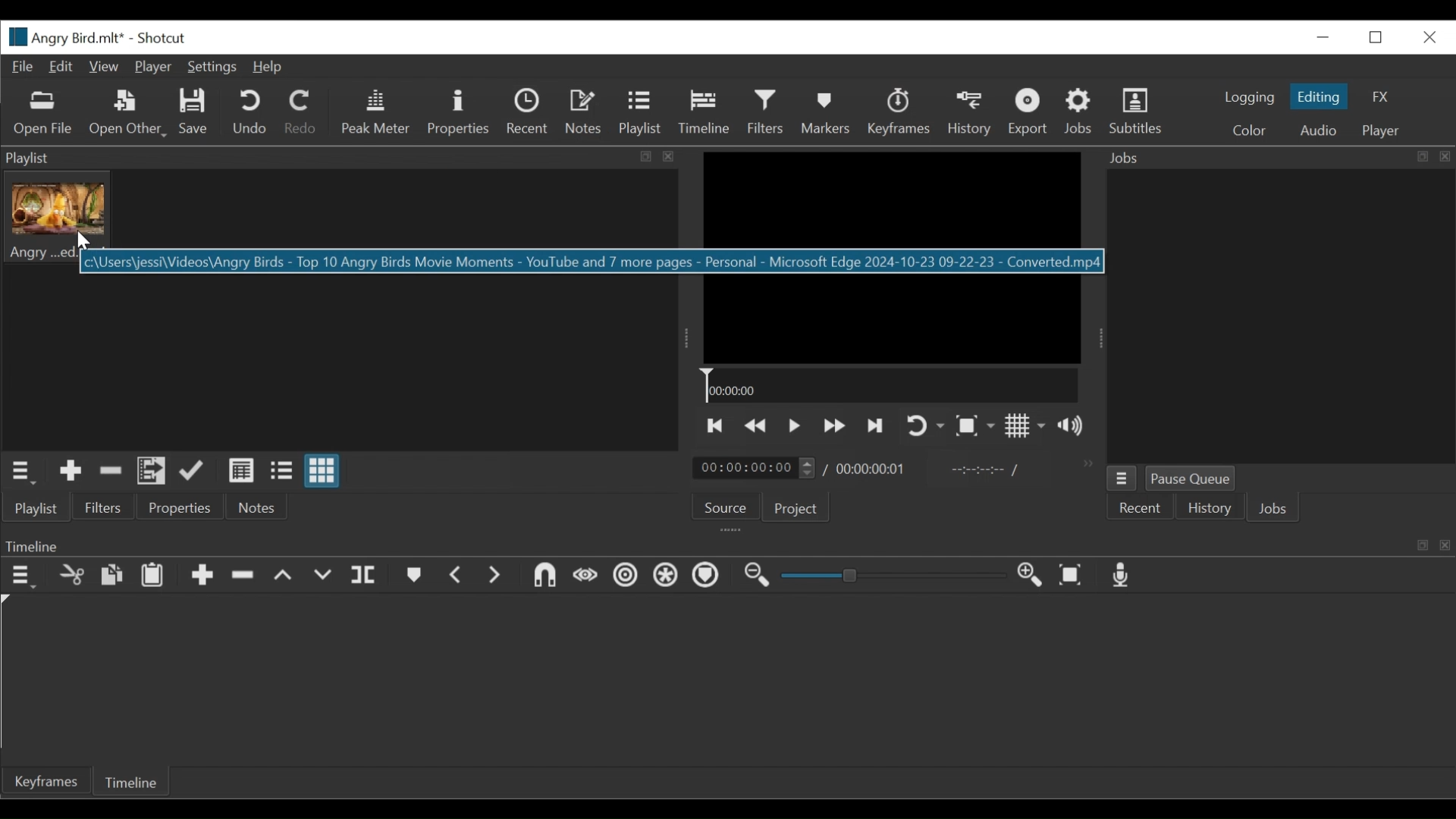  Describe the element at coordinates (195, 113) in the screenshot. I see `Save` at that location.